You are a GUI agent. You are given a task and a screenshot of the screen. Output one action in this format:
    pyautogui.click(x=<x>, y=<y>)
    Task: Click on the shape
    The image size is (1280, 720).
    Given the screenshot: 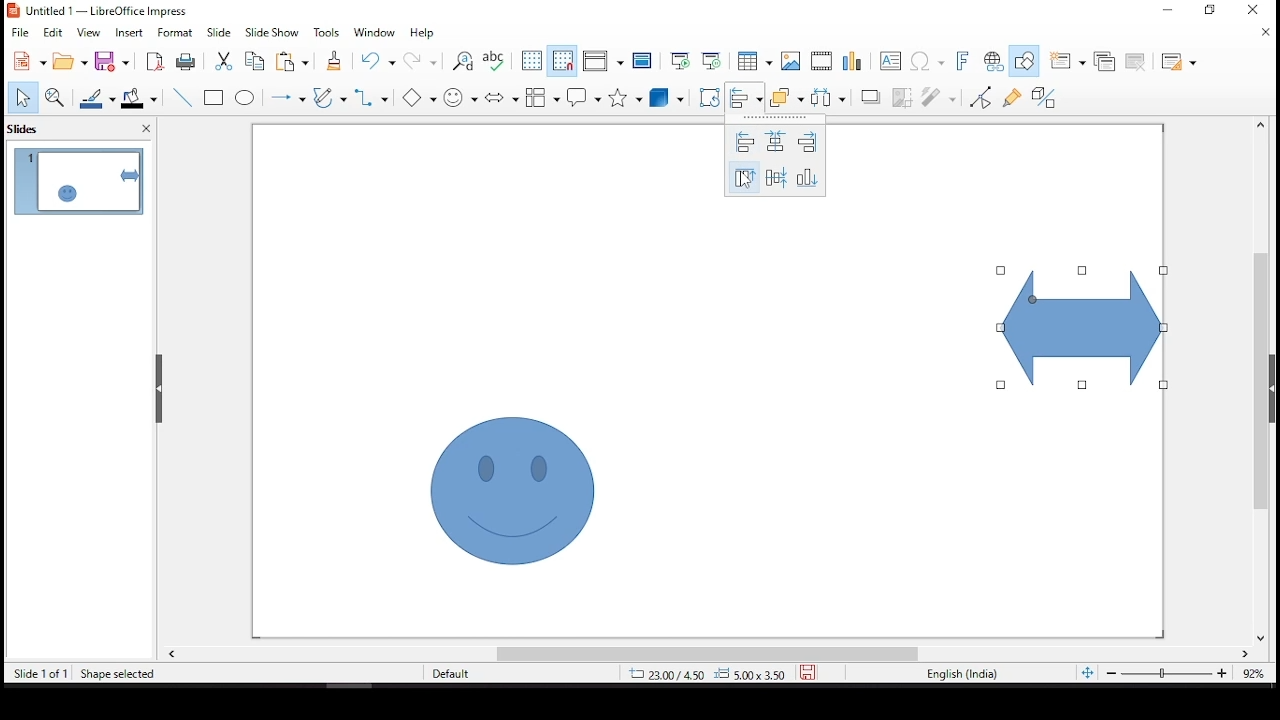 What is the action you would take?
    pyautogui.click(x=1083, y=328)
    